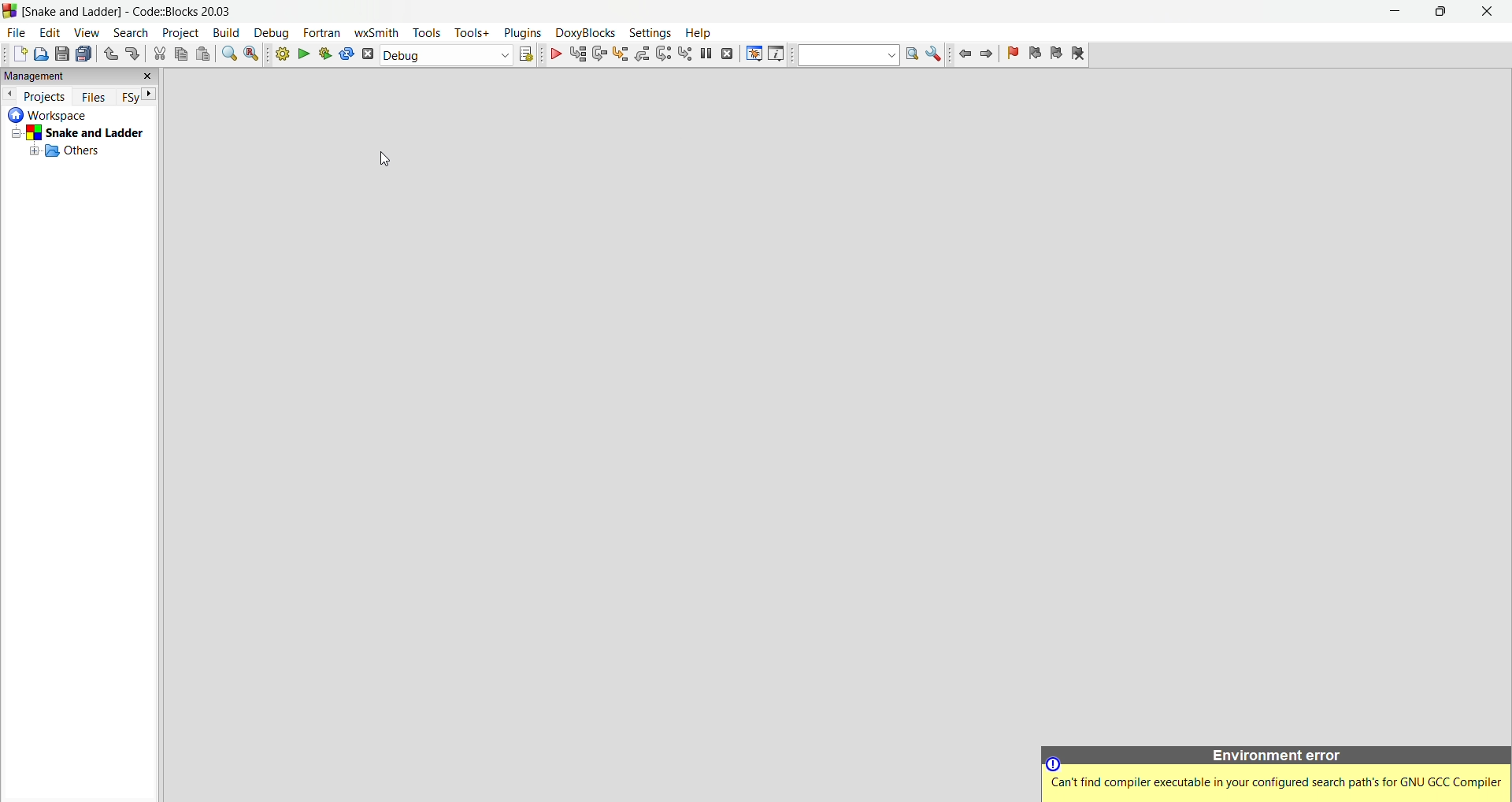 The height and width of the screenshot is (802, 1512). I want to click on replace, so click(252, 55).